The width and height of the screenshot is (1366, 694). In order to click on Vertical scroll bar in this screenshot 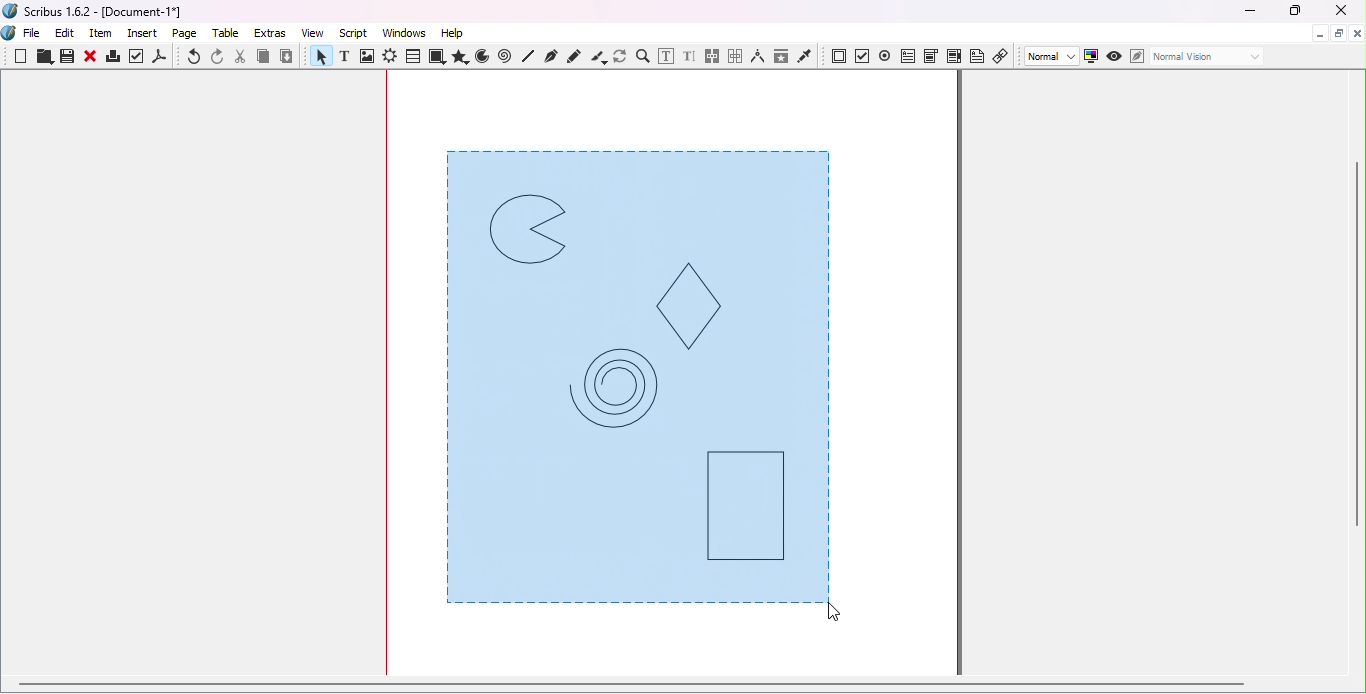, I will do `click(1358, 375)`.